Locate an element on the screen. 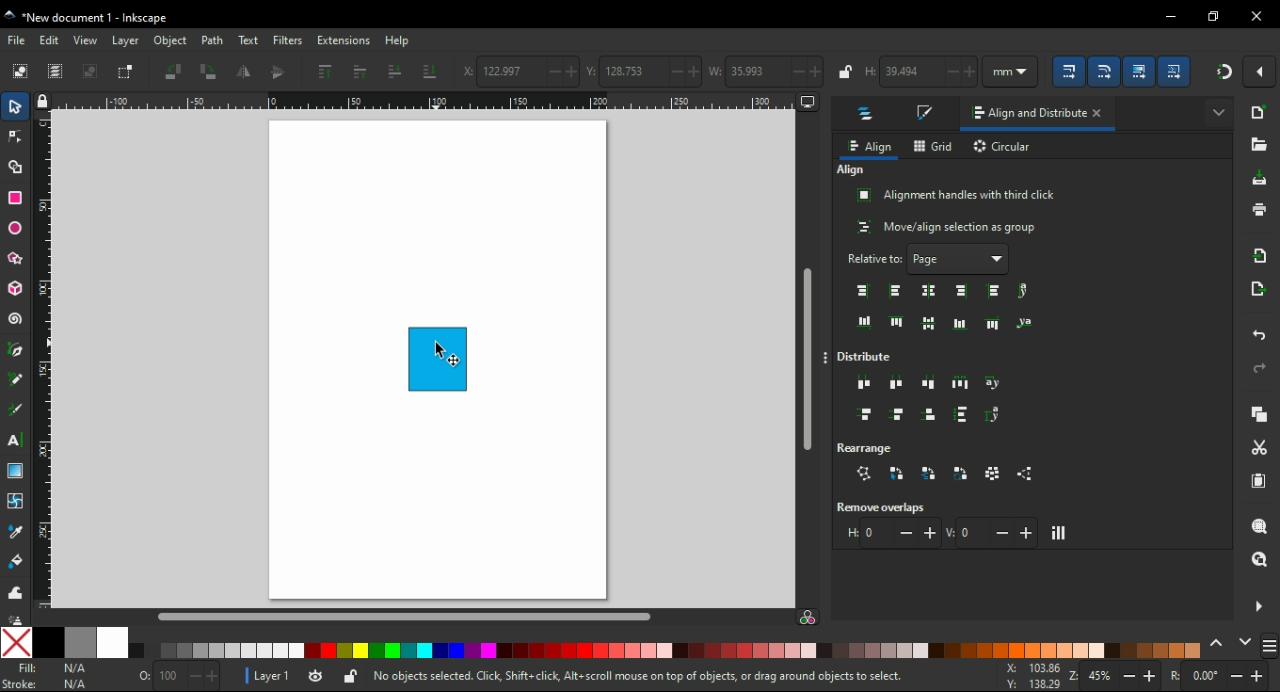 This screenshot has height=692, width=1280. shape is located at coordinates (438, 360).